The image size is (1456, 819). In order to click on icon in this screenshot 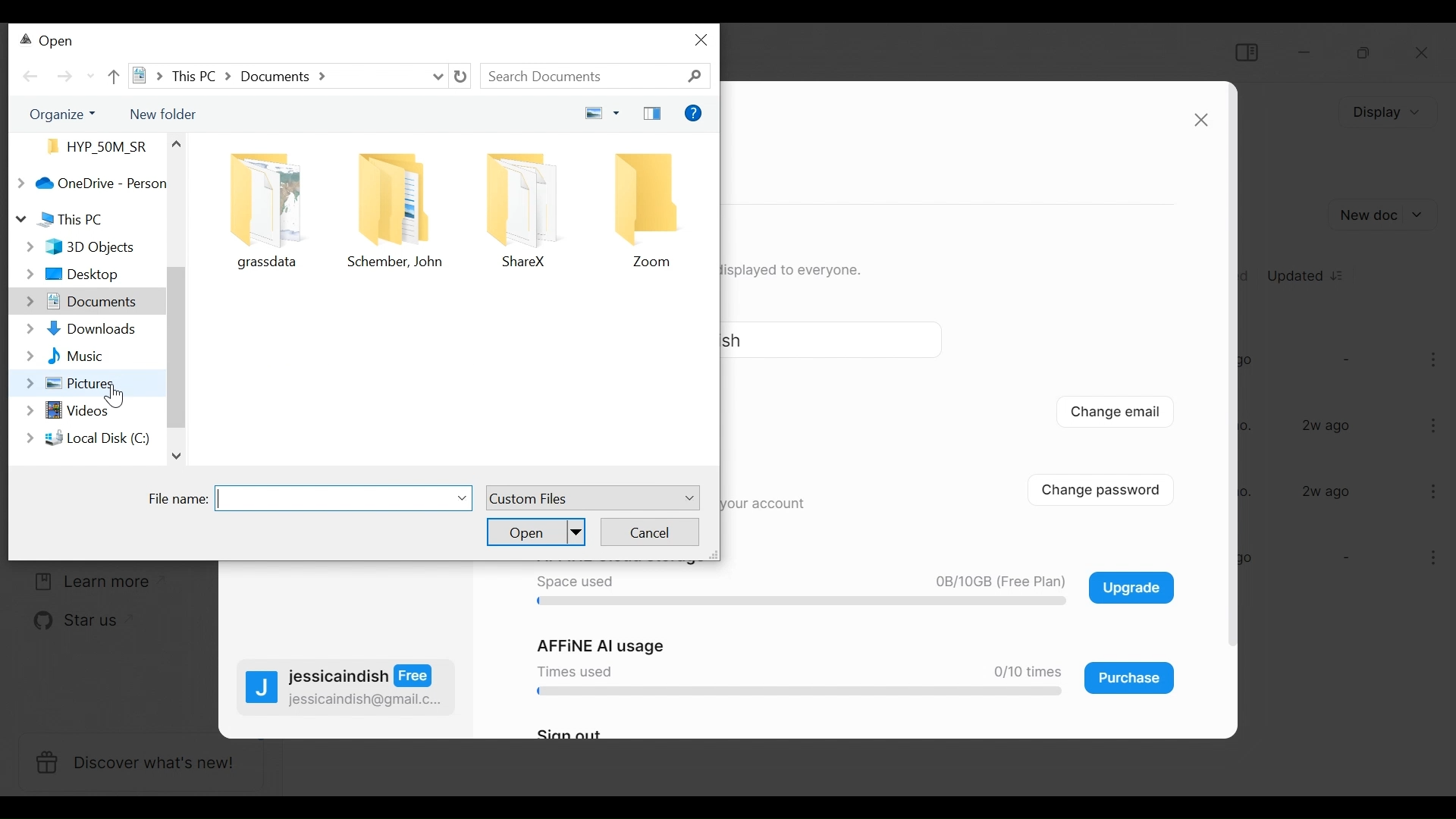, I will do `click(397, 197)`.